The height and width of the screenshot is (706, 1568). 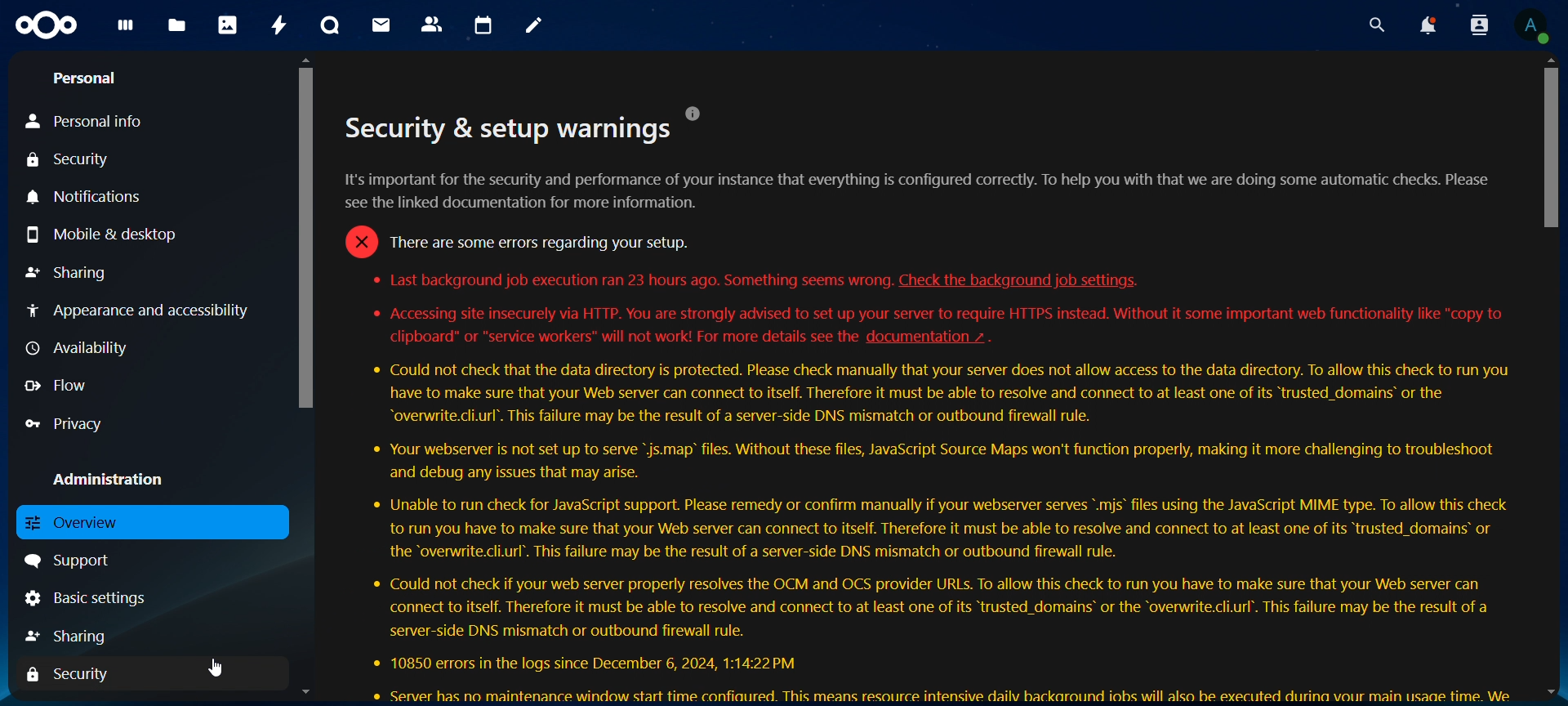 I want to click on files, so click(x=175, y=25).